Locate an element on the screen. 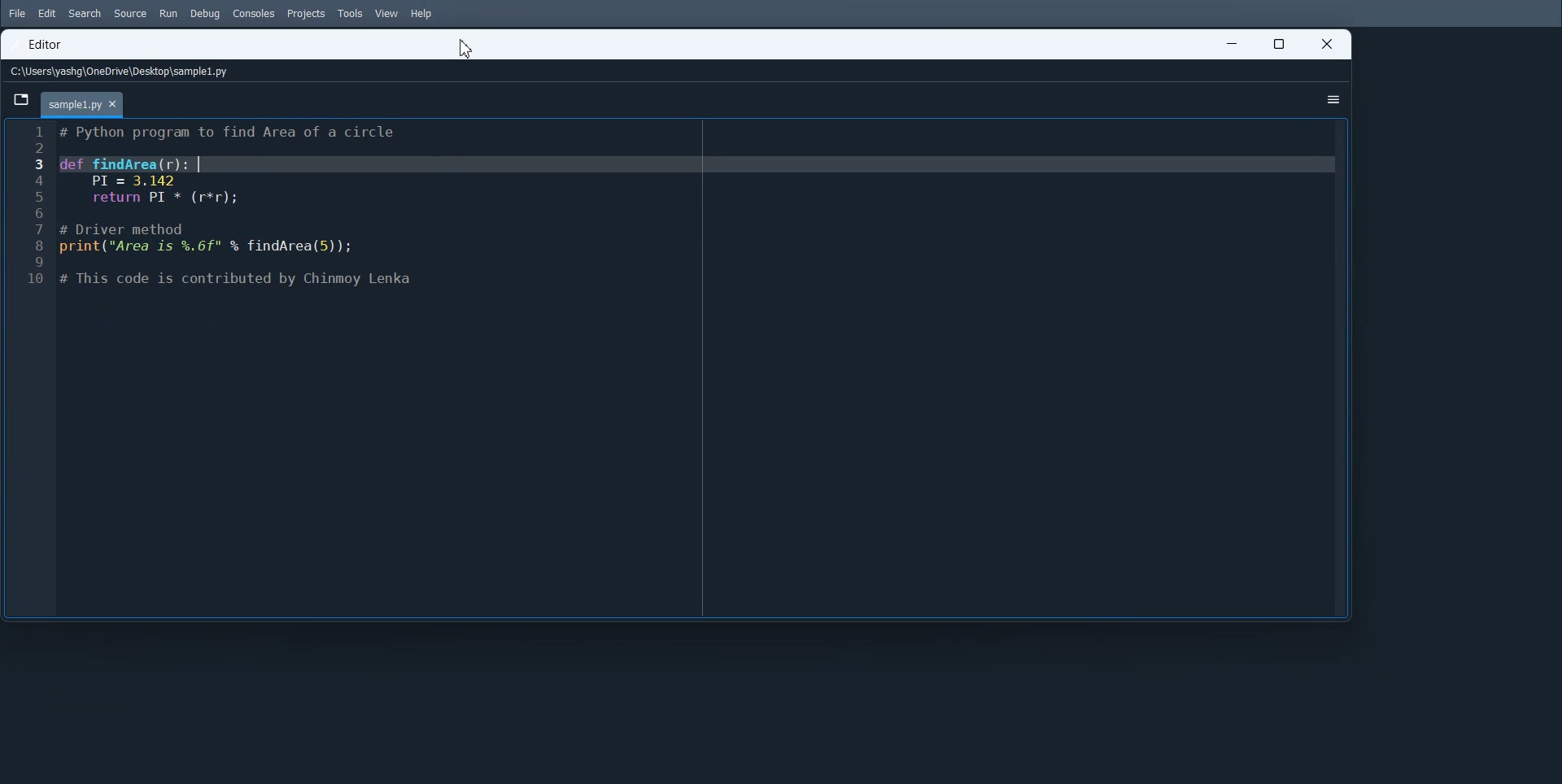 The width and height of the screenshot is (1562, 784). Tools is located at coordinates (351, 13).